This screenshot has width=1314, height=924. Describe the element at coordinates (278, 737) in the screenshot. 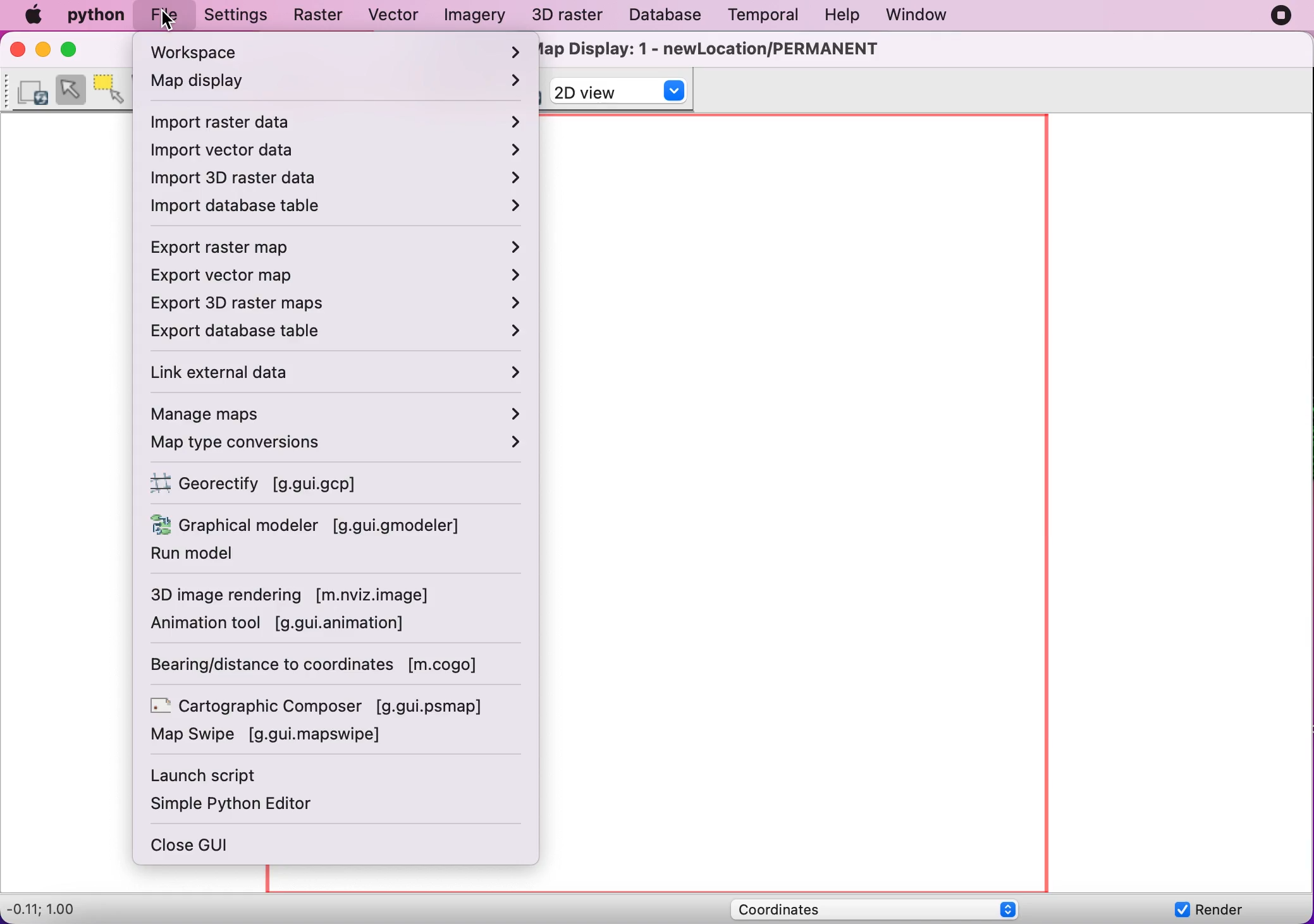

I see `map swipe` at that location.